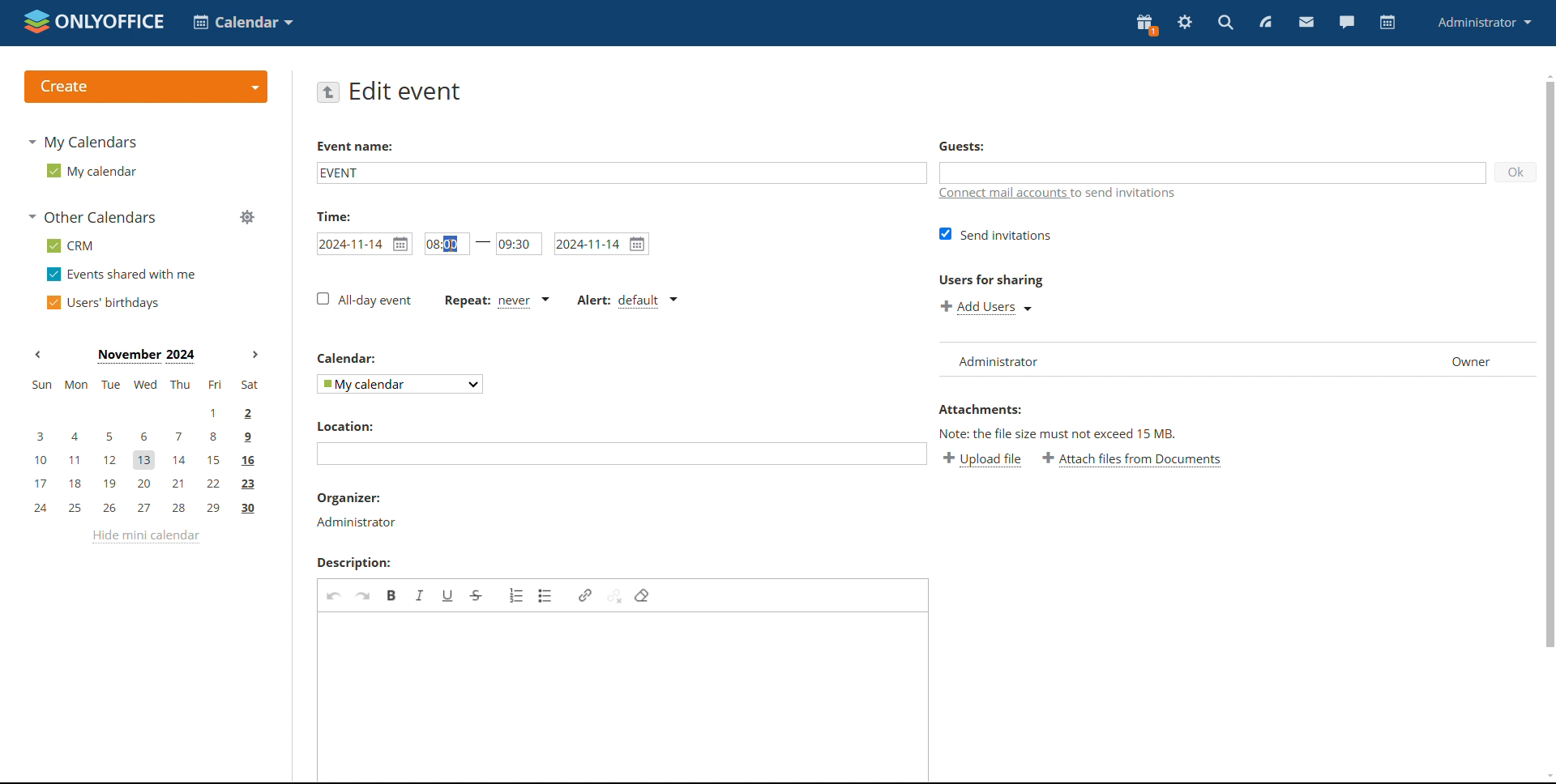 Image resolution: width=1556 pixels, height=784 pixels. Describe the element at coordinates (1176, 359) in the screenshot. I see `list of users` at that location.